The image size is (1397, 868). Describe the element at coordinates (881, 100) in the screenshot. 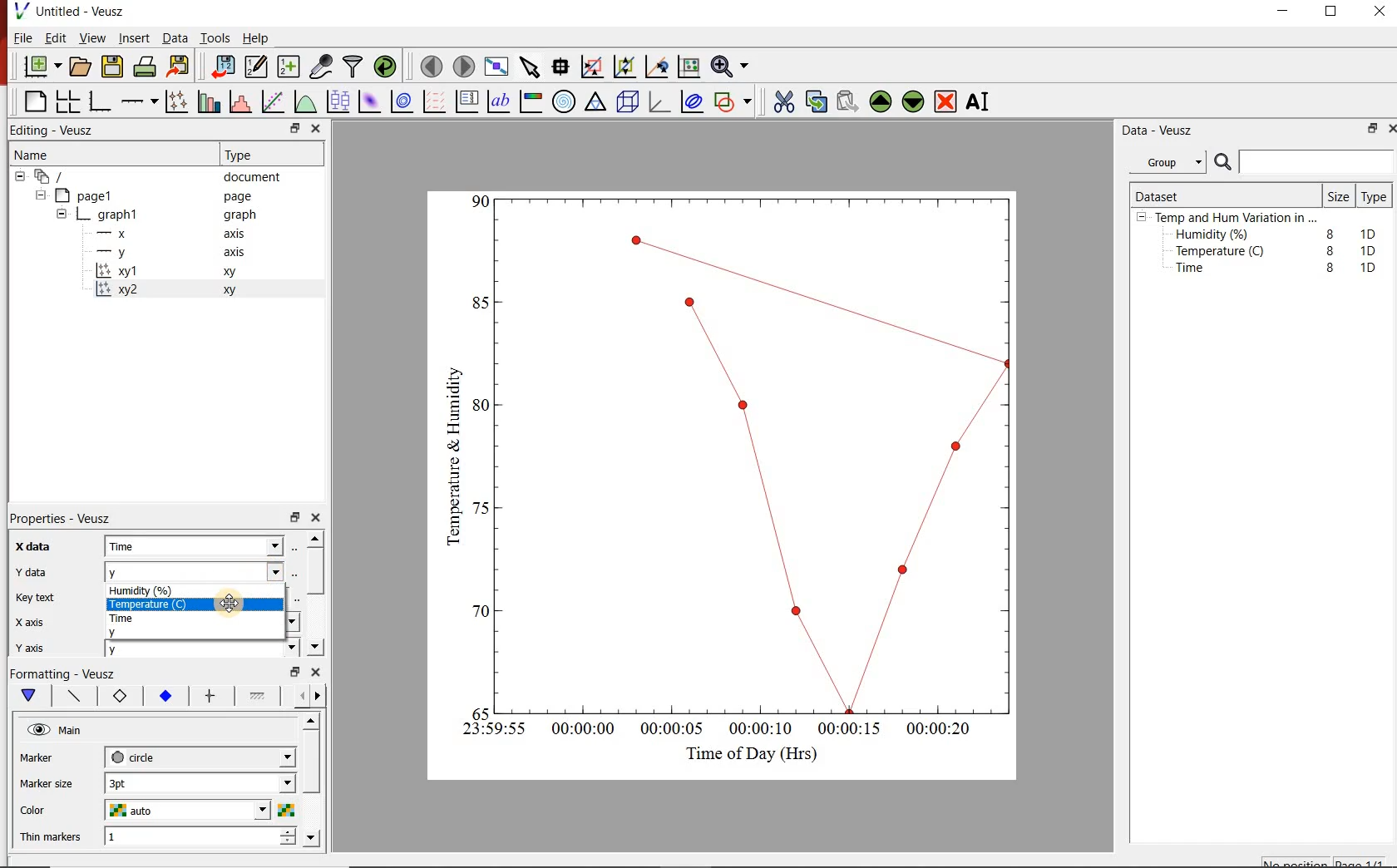

I see `Move the selected widget up` at that location.